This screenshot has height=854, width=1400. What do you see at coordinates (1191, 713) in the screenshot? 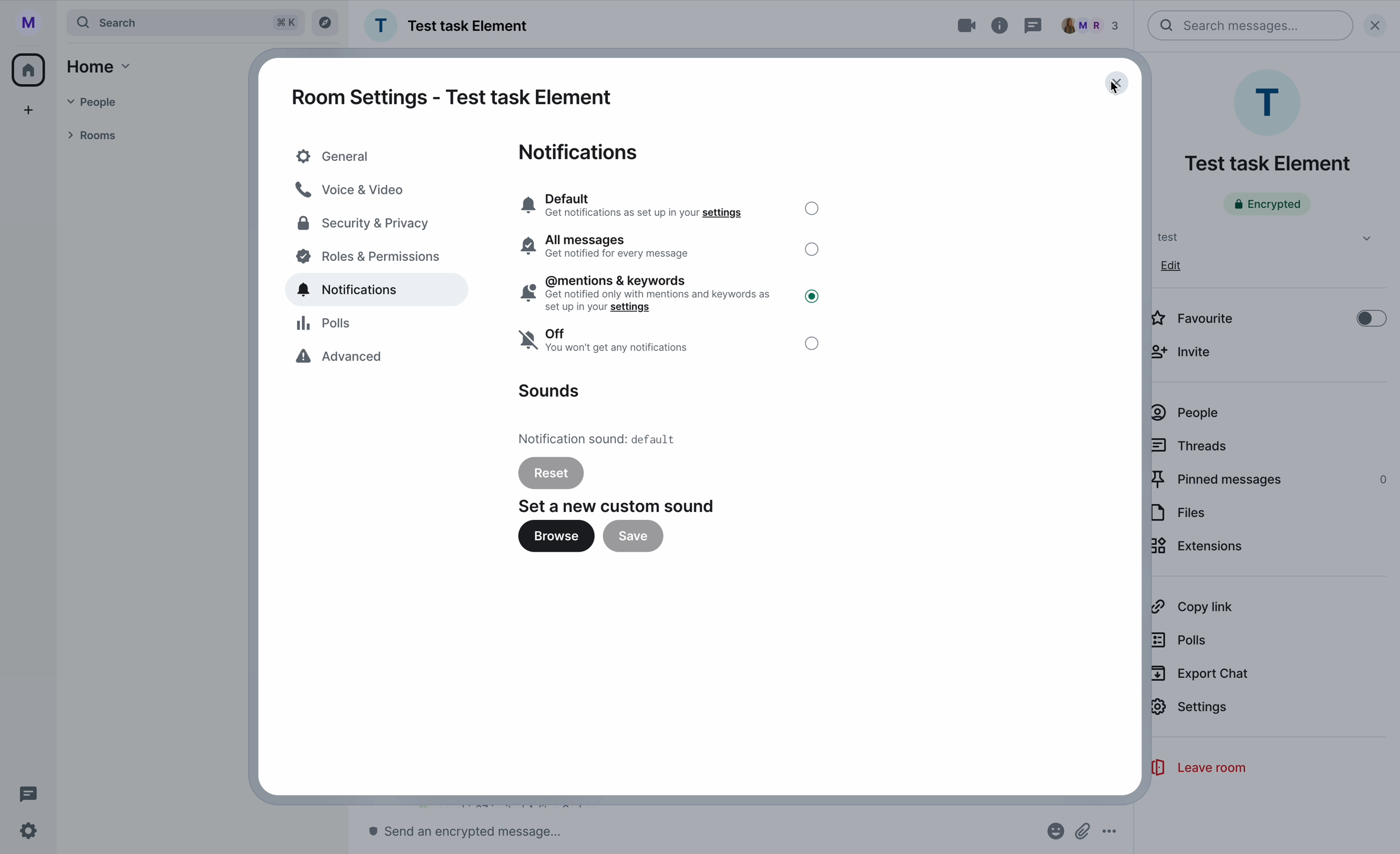
I see `click on settings` at bounding box center [1191, 713].